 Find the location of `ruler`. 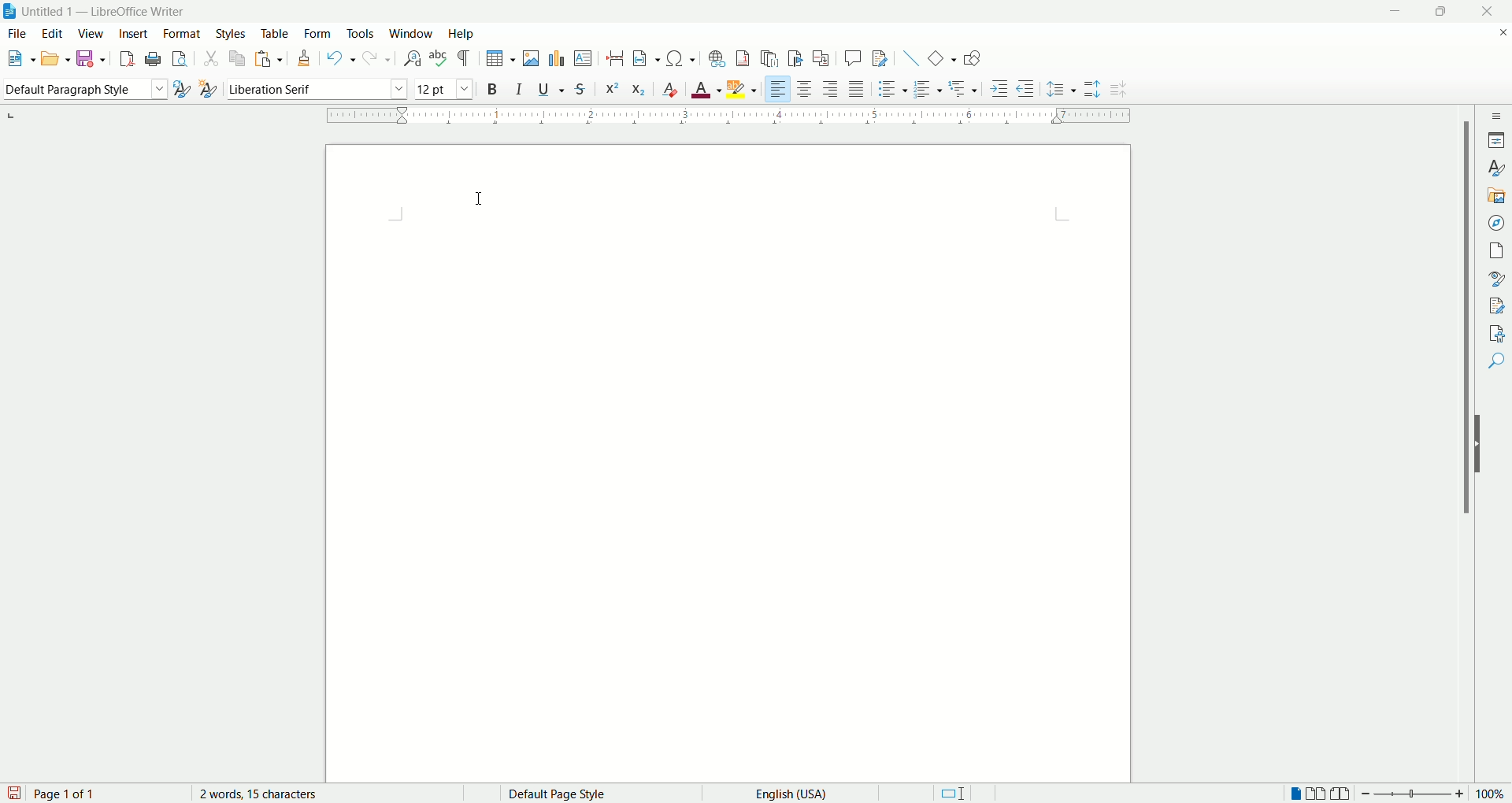

ruler is located at coordinates (722, 116).